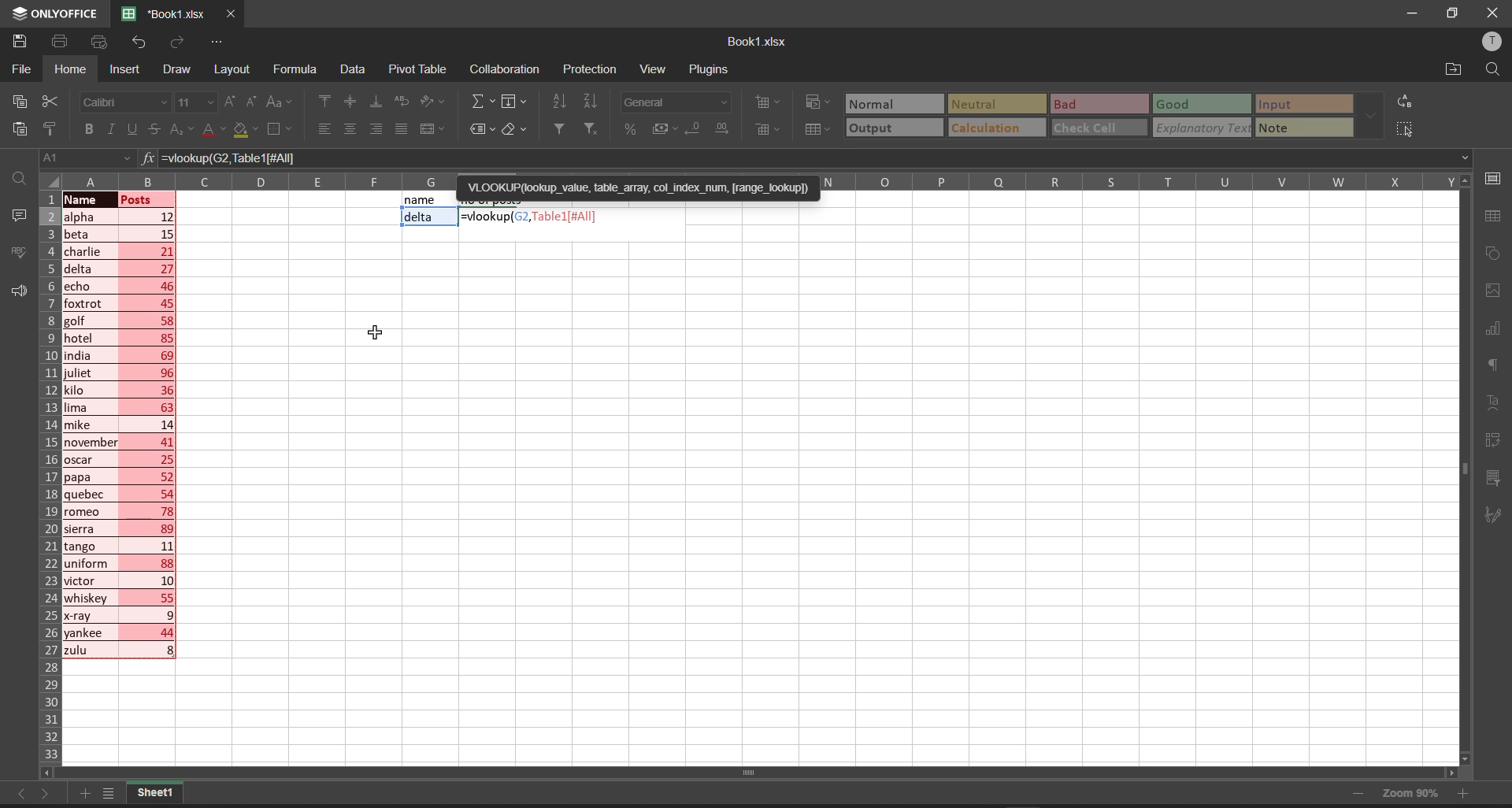  Describe the element at coordinates (628, 131) in the screenshot. I see `percent style` at that location.